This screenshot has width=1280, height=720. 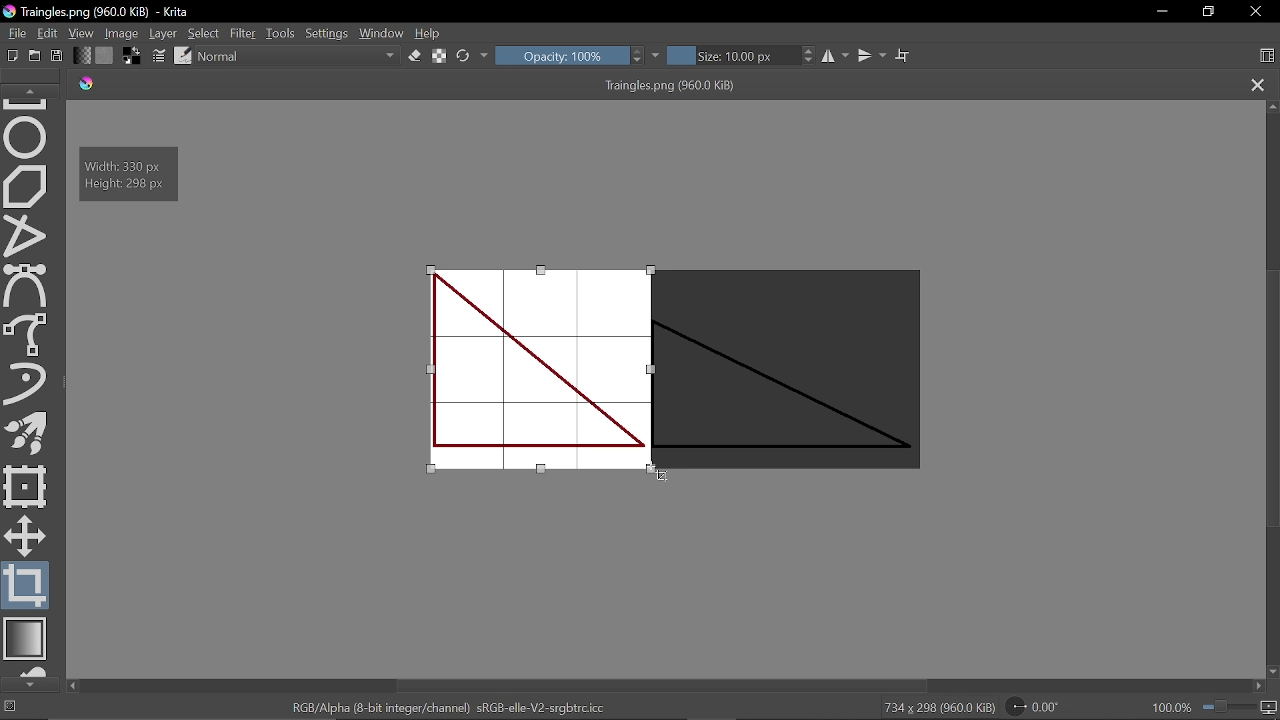 I want to click on Traingles.png (960.0 KiB) - Krita, so click(x=99, y=13).